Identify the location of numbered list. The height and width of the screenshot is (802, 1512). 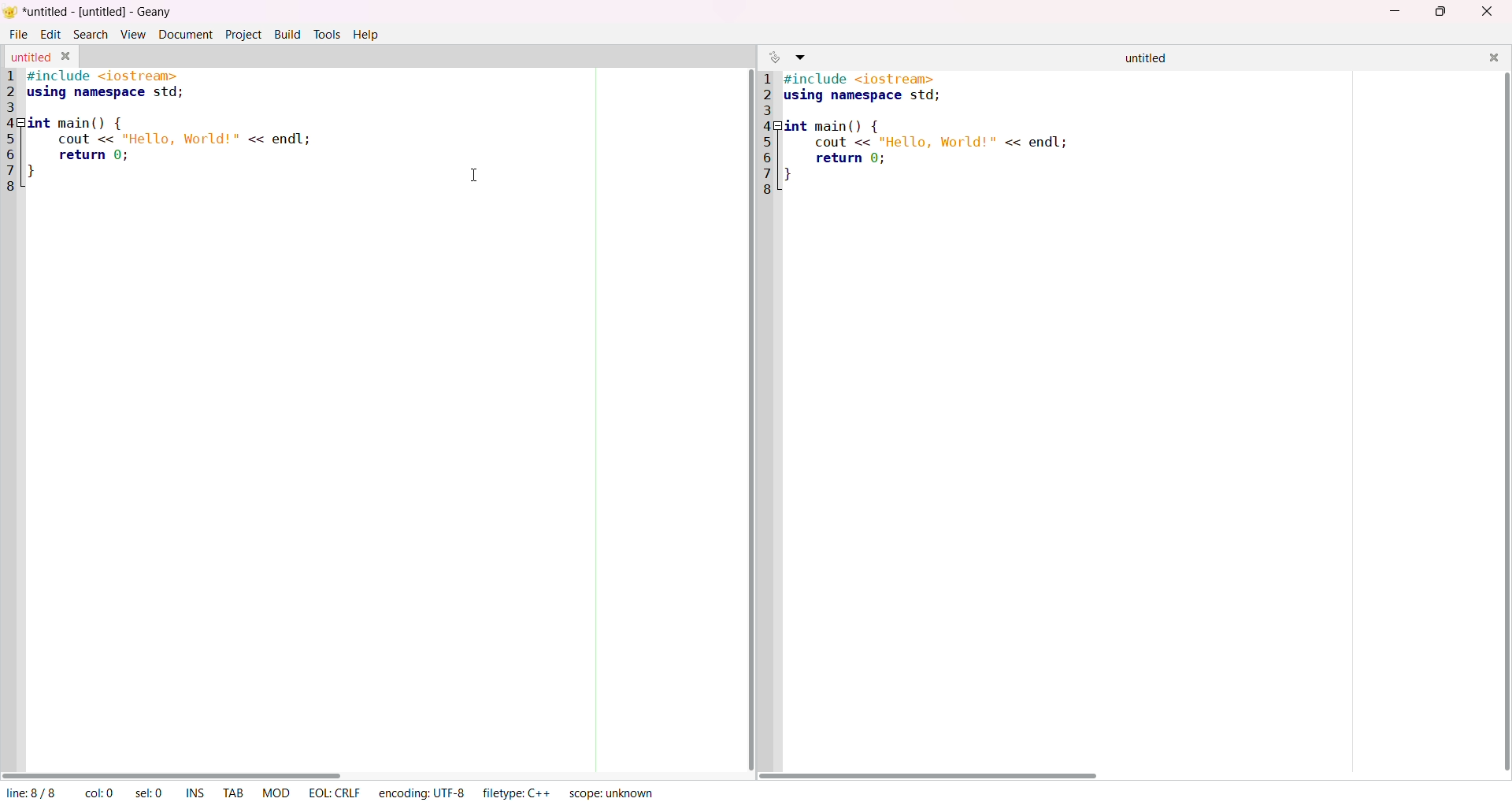
(764, 133).